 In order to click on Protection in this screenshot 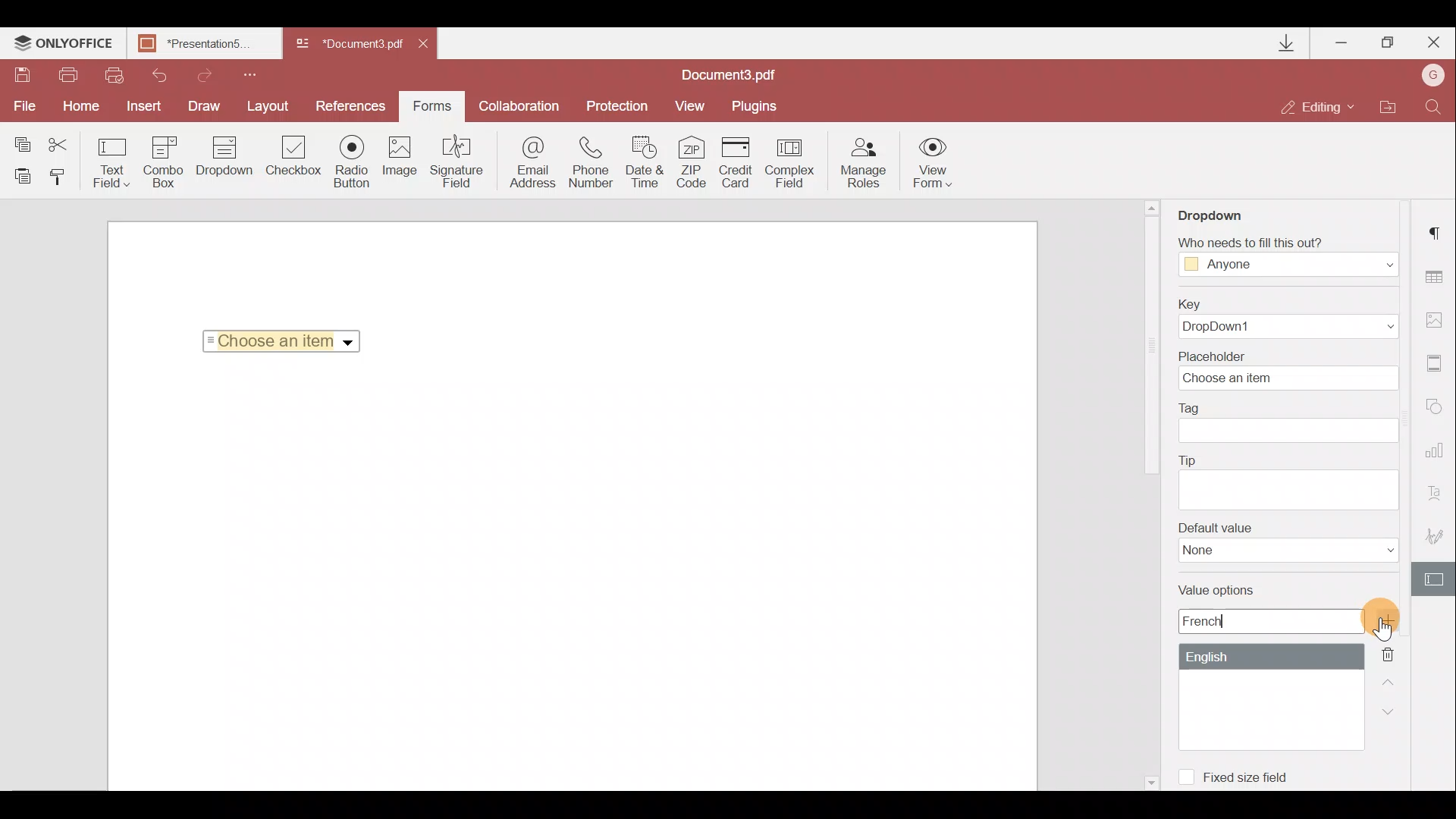, I will do `click(615, 105)`.